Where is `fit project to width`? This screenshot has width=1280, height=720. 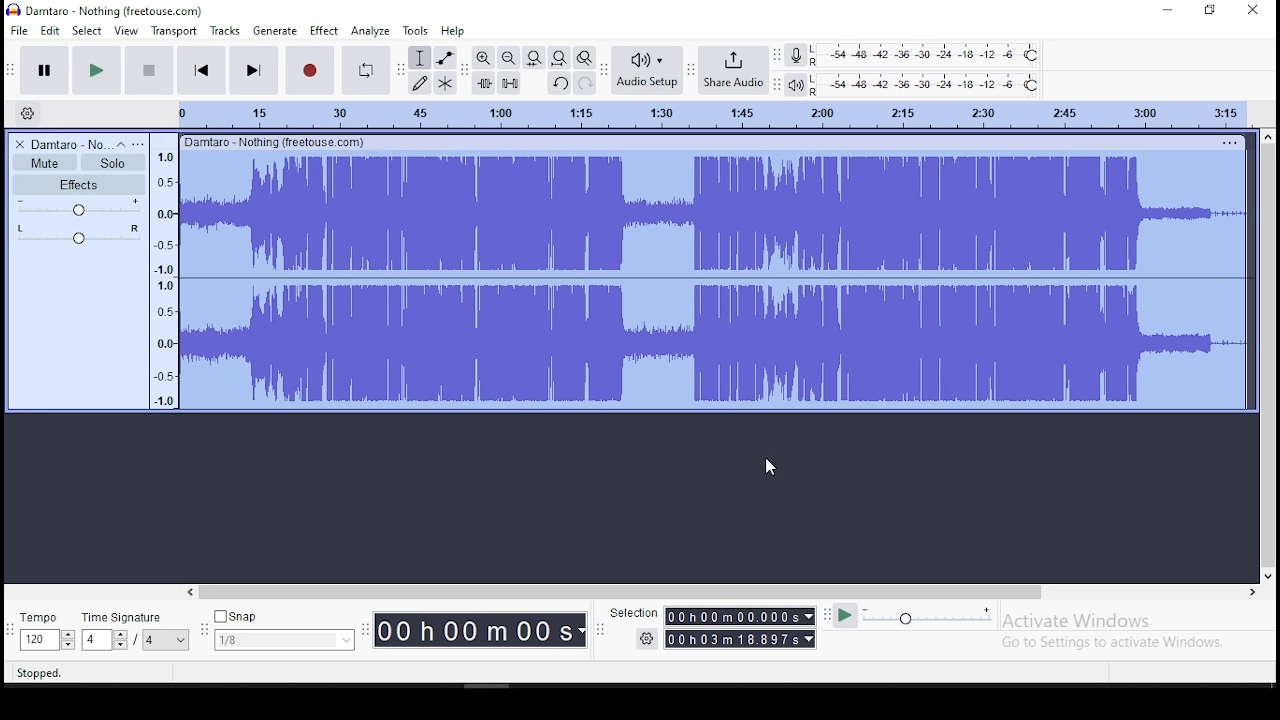 fit project to width is located at coordinates (558, 57).